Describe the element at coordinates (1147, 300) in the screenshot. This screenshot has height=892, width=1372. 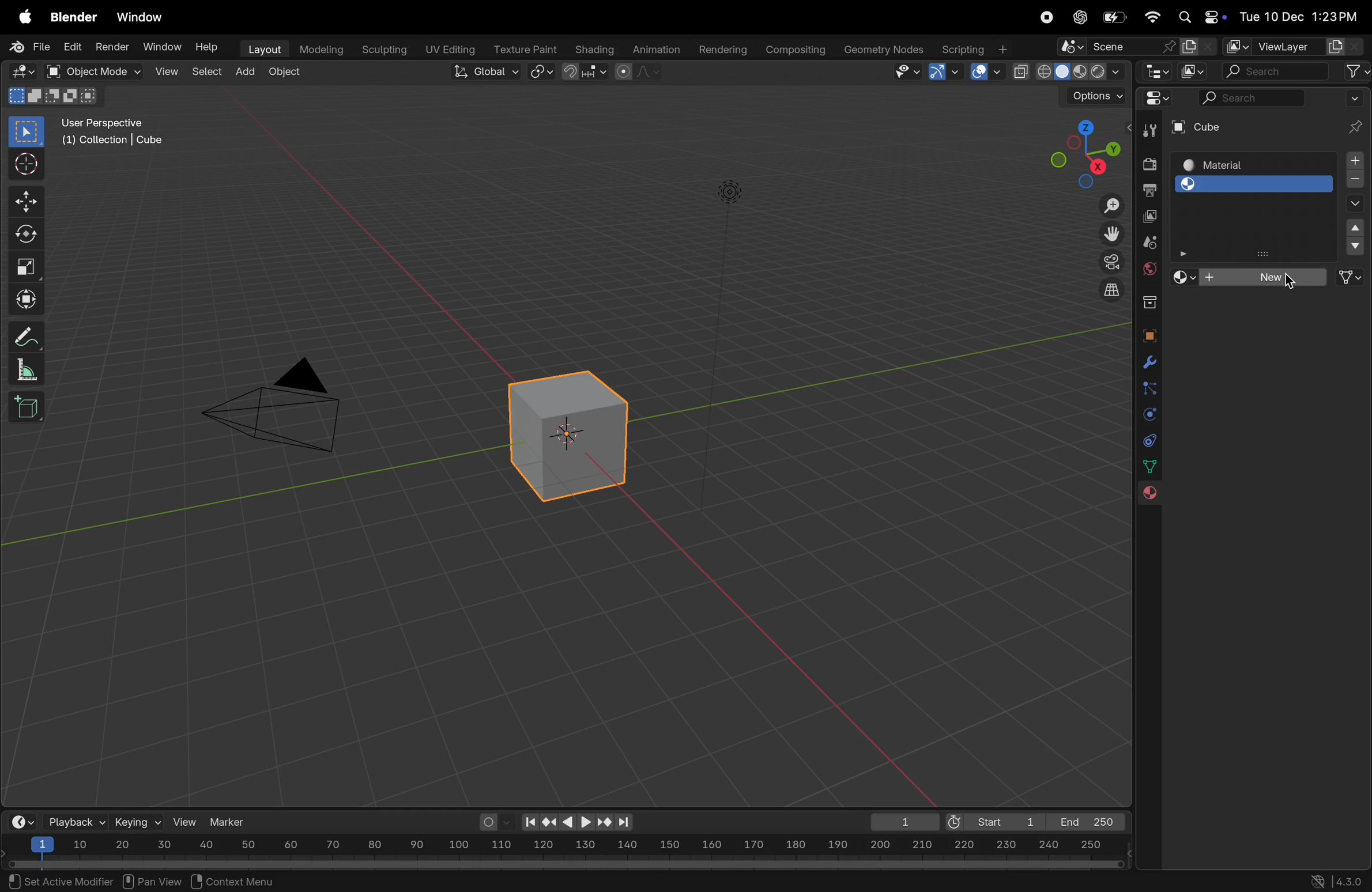
I see `collection` at that location.